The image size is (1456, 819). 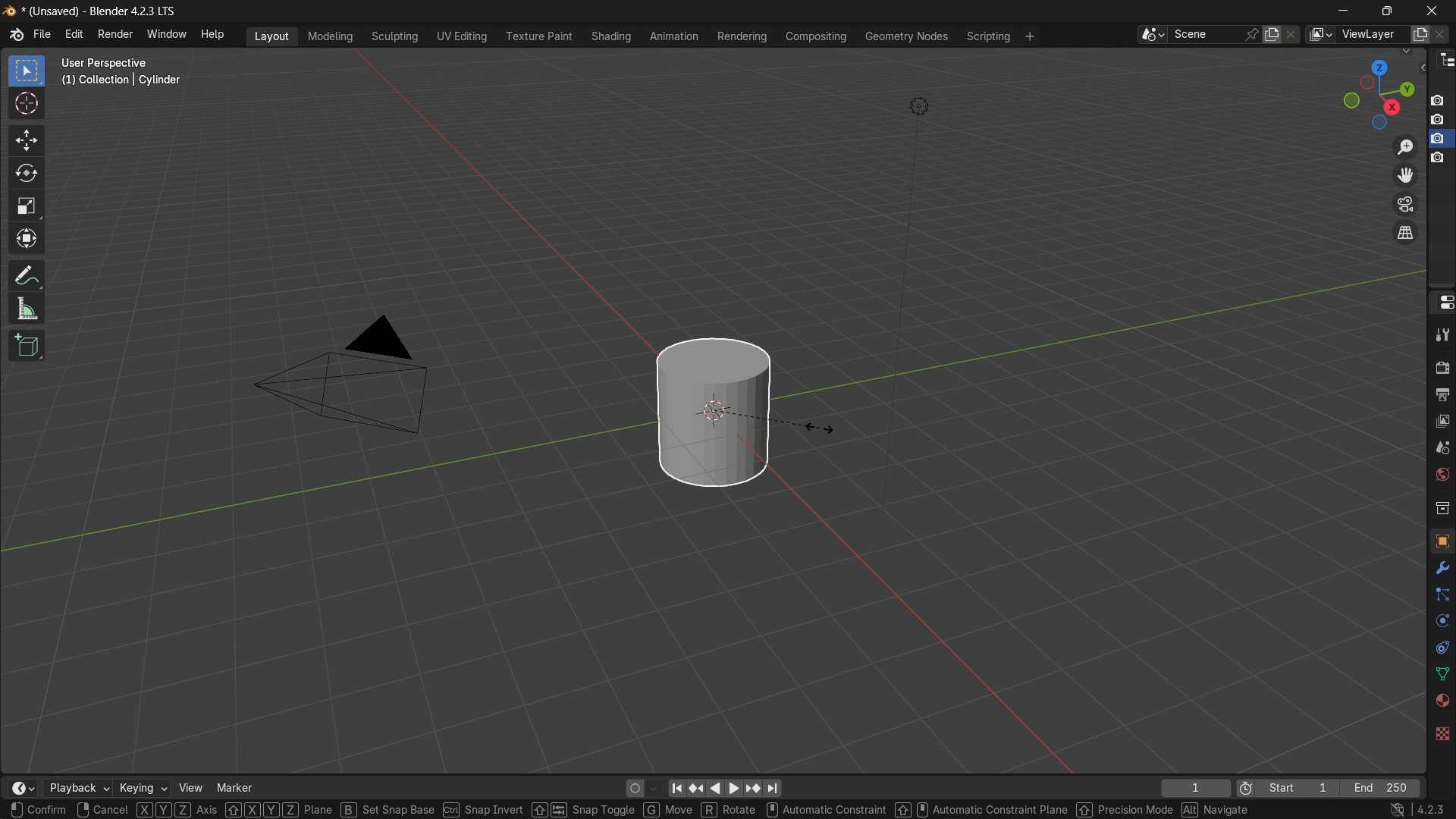 I want to click on no internet , so click(x=1395, y=810).